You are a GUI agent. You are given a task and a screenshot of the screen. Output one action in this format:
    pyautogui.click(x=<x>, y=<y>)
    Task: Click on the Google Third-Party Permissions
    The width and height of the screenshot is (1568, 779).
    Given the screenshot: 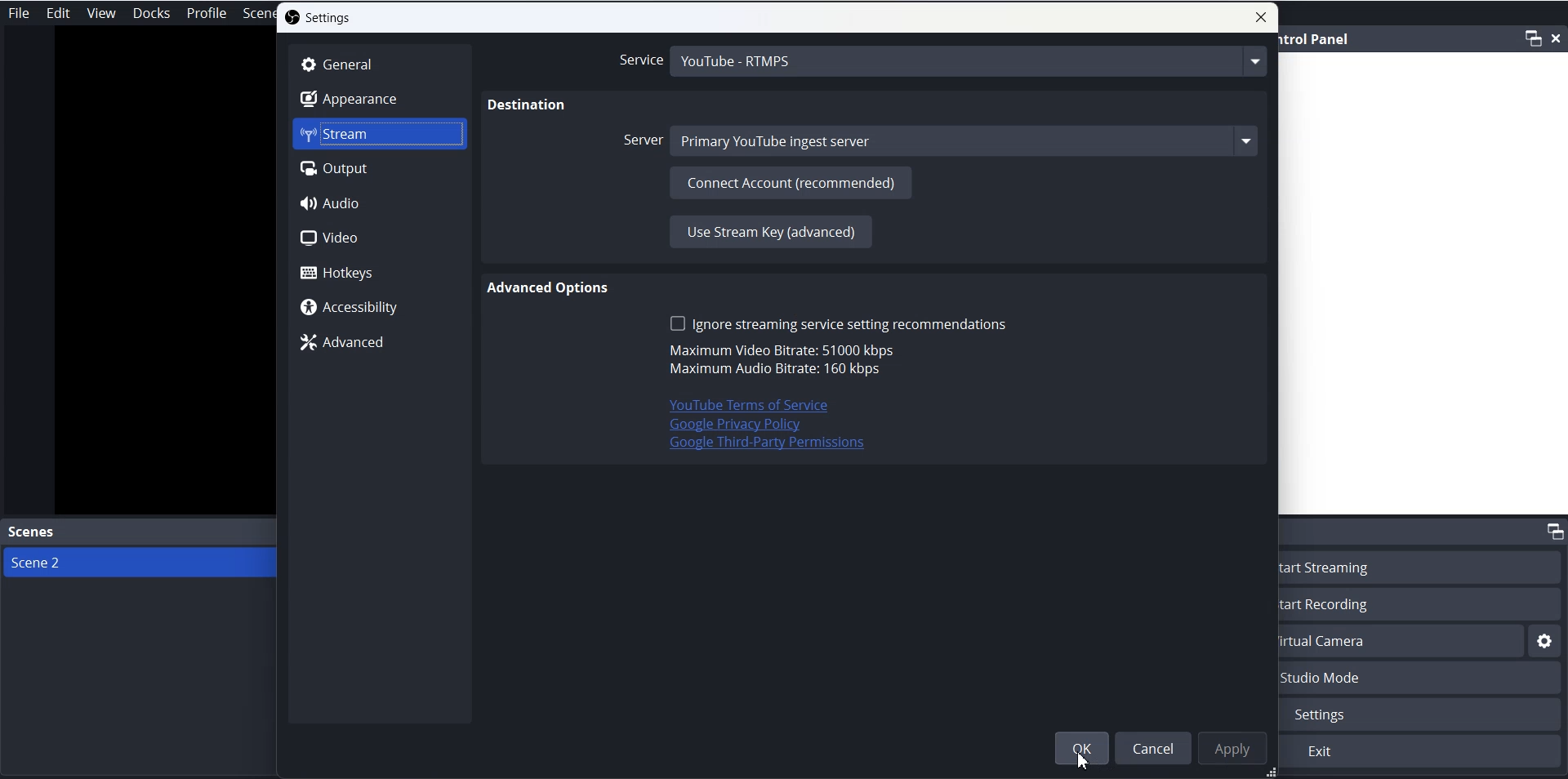 What is the action you would take?
    pyautogui.click(x=768, y=446)
    